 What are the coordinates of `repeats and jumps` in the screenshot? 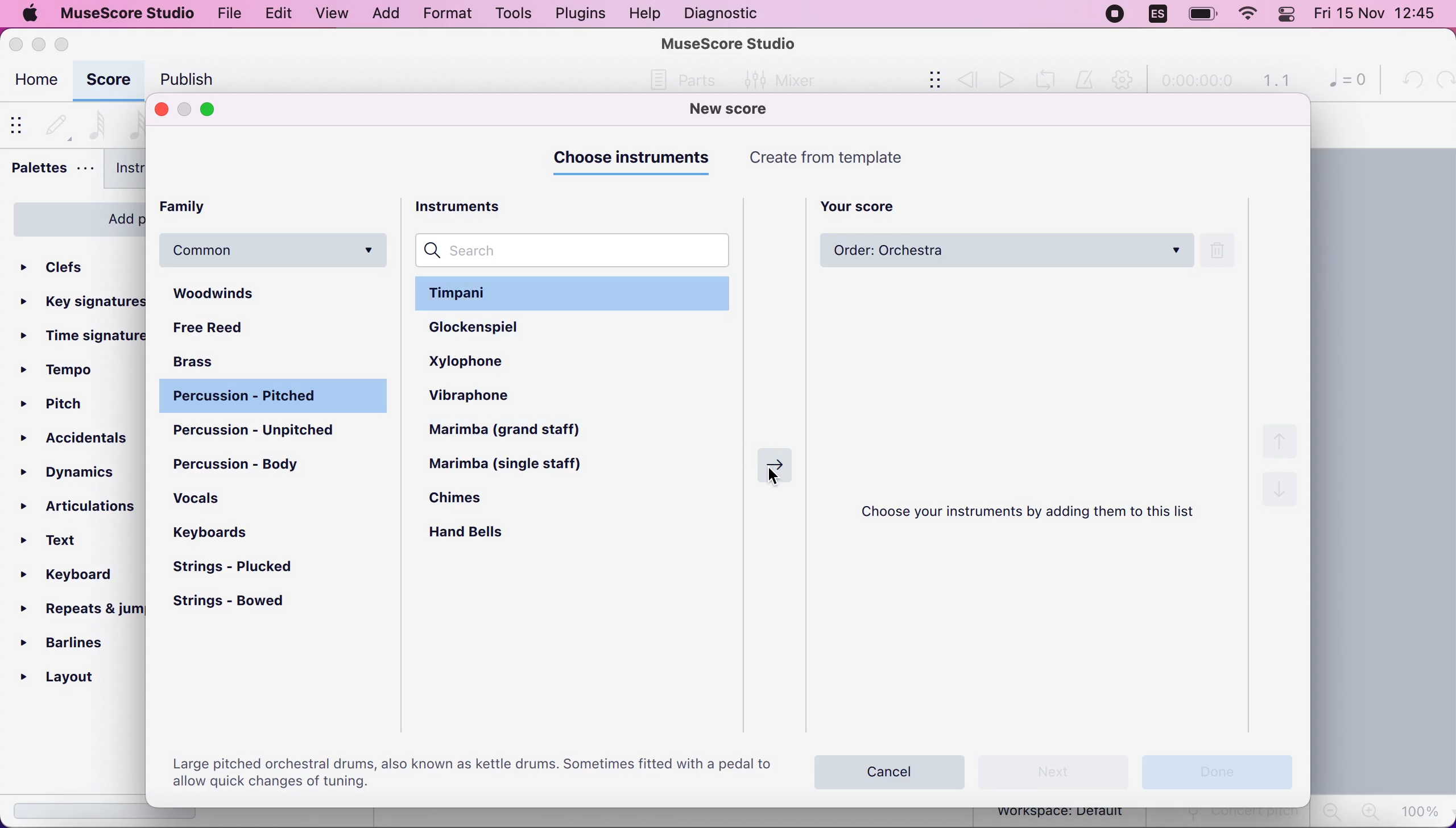 It's located at (79, 608).